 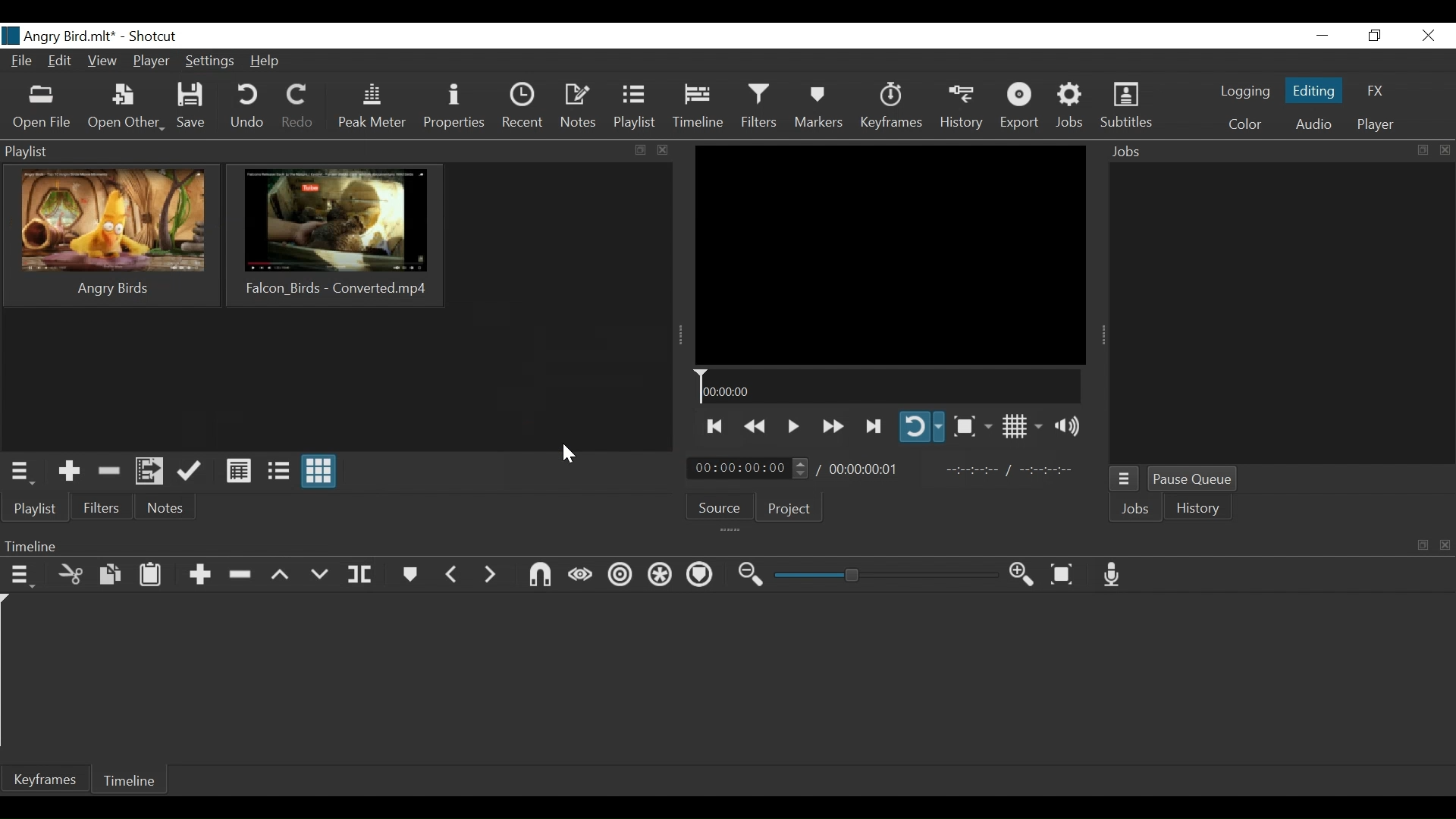 I want to click on Update, so click(x=192, y=473).